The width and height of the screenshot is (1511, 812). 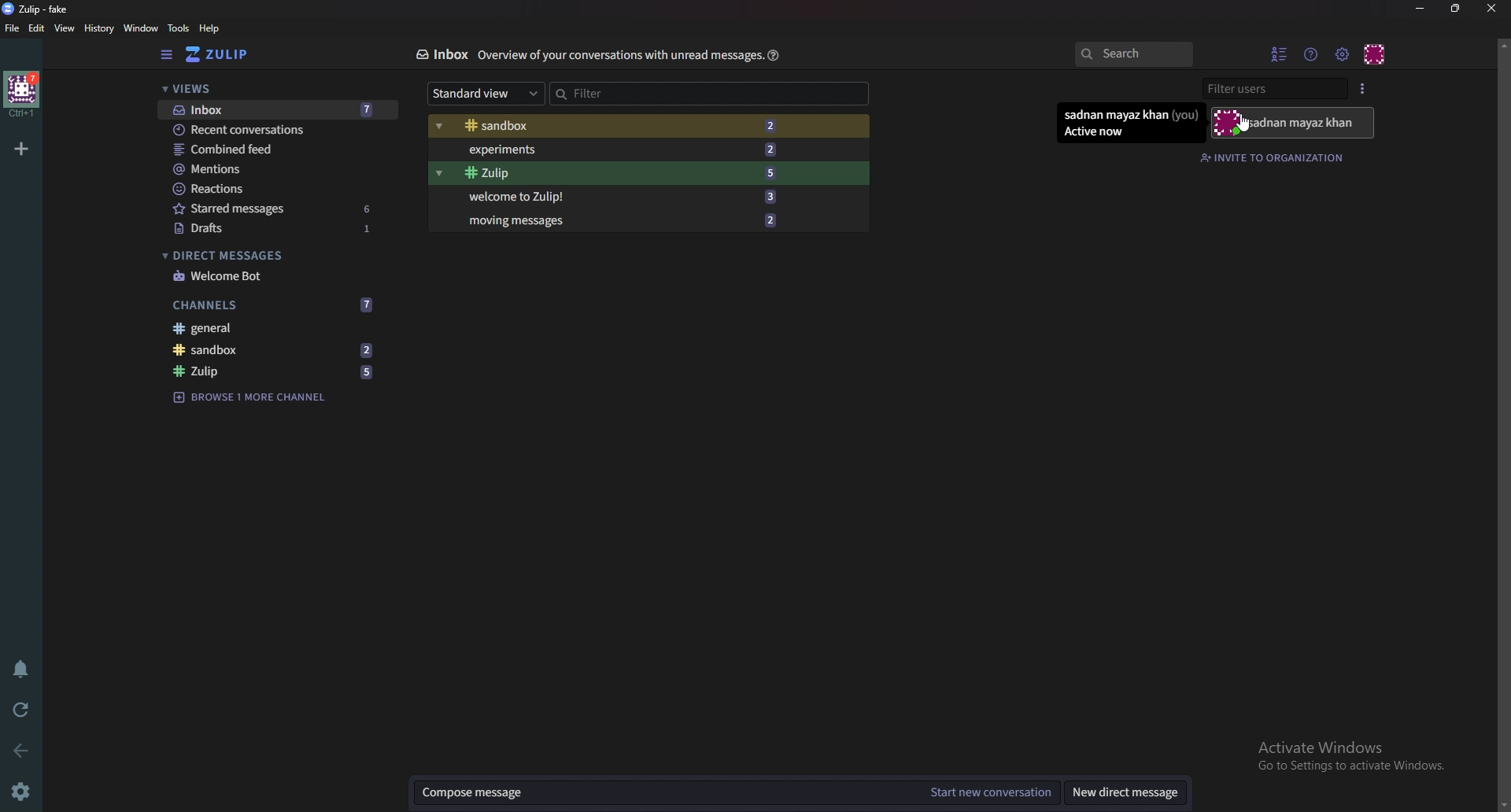 I want to click on Reactions, so click(x=279, y=188).